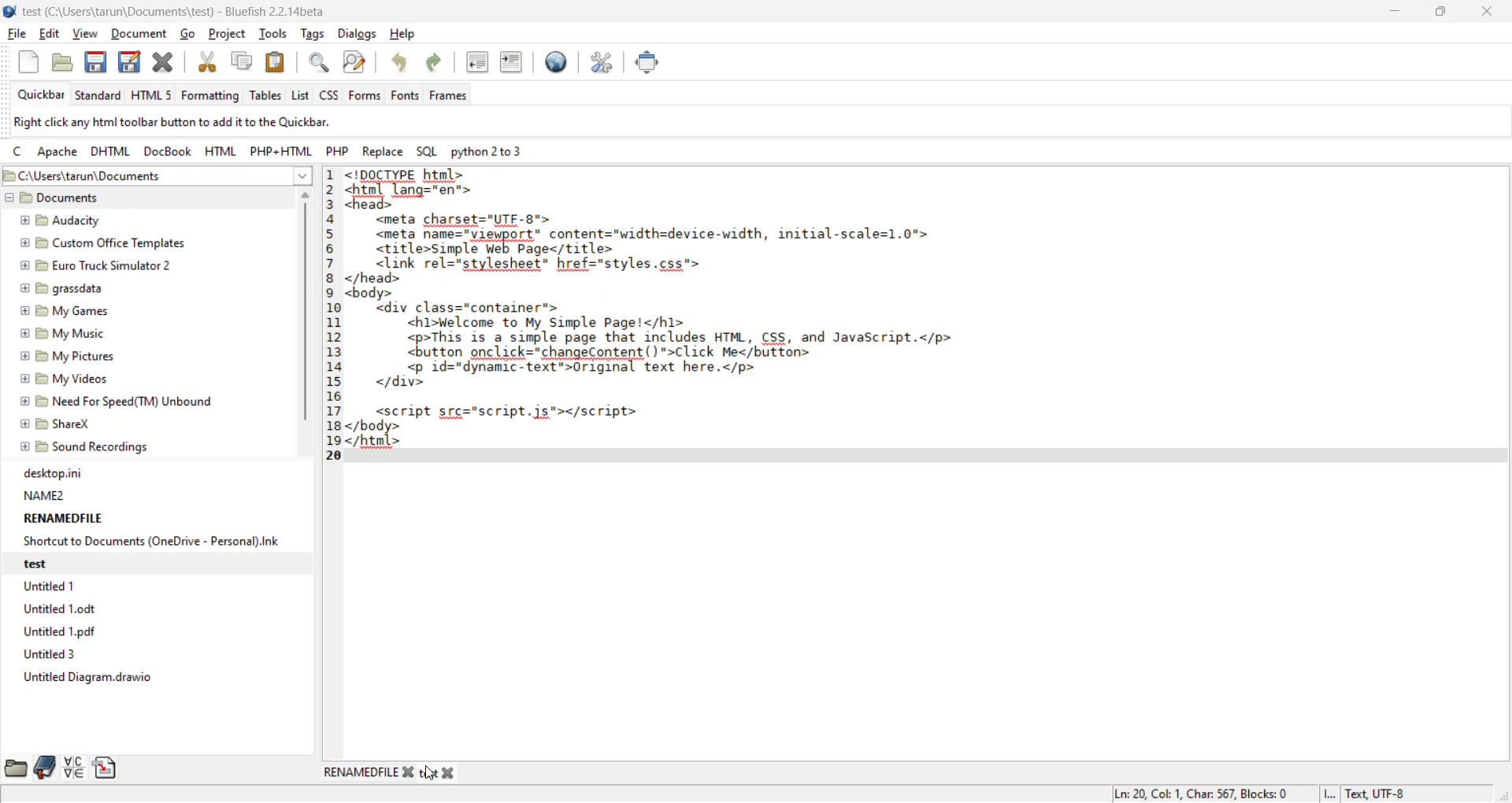 This screenshot has height=803, width=1512. What do you see at coordinates (432, 776) in the screenshot?
I see `cursor` at bounding box center [432, 776].